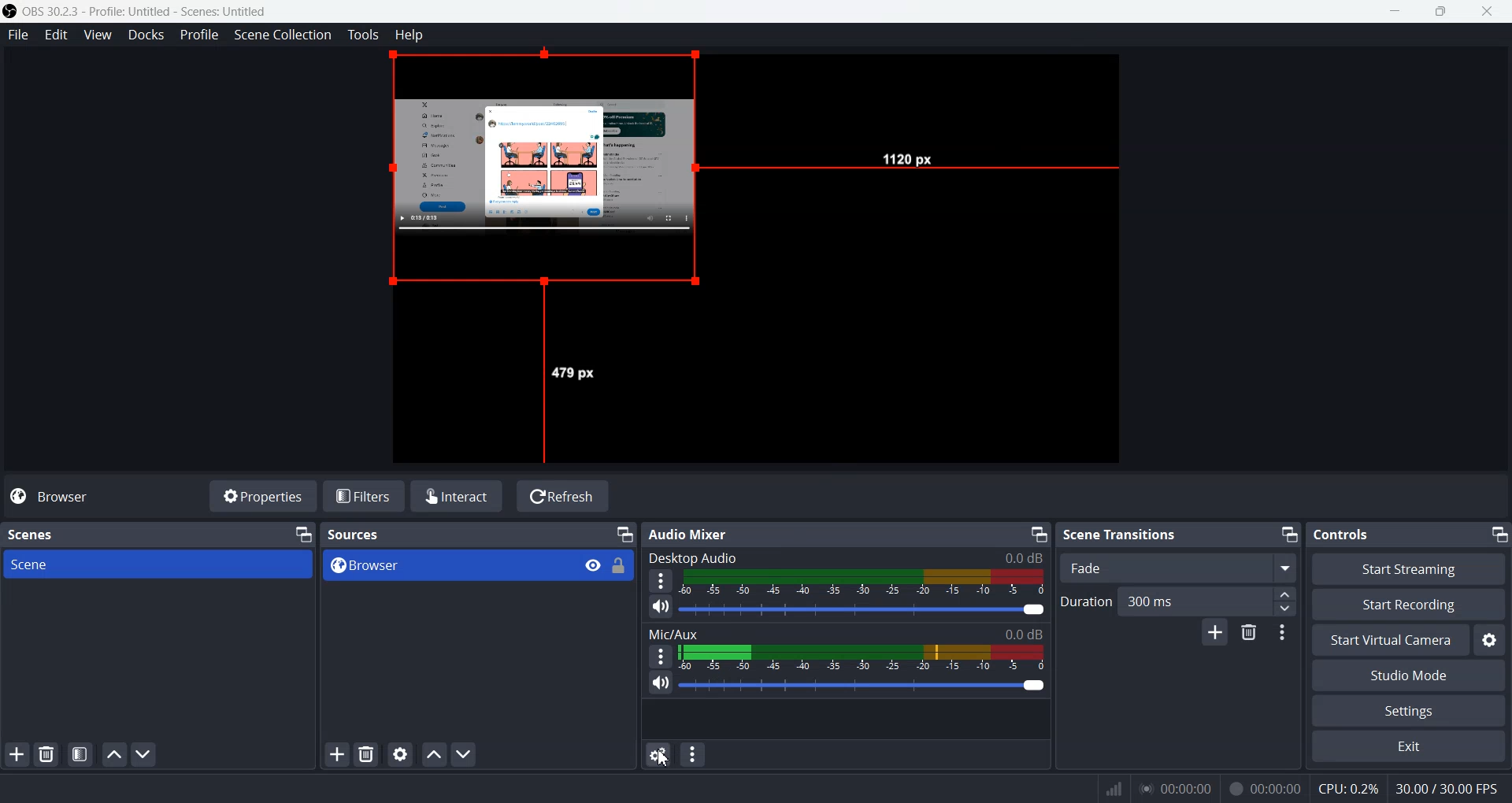  What do you see at coordinates (80, 756) in the screenshot?
I see `Open scene filter` at bounding box center [80, 756].